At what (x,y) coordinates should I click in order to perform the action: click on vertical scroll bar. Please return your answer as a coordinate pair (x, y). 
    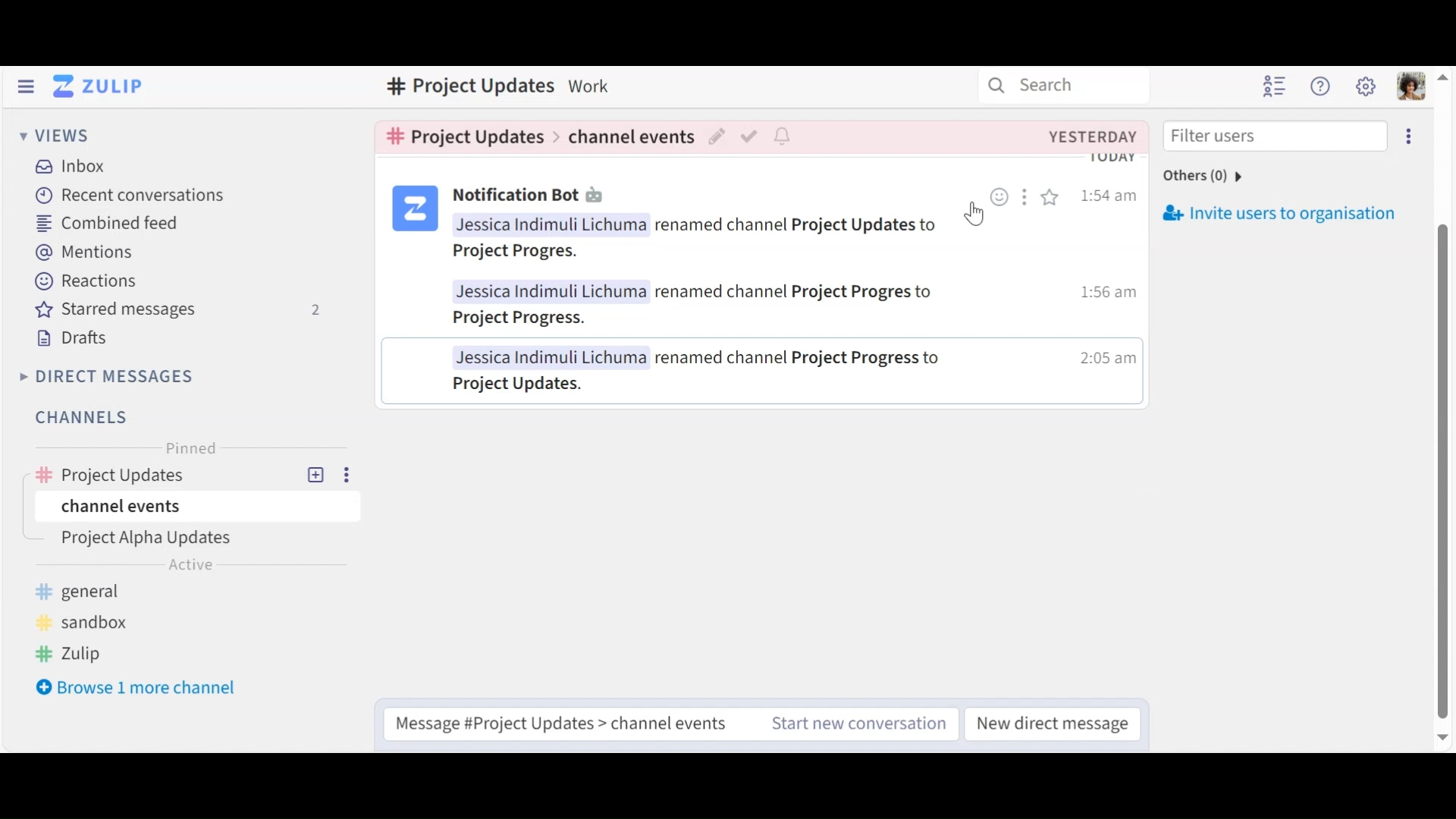
    Looking at the image, I should click on (1443, 472).